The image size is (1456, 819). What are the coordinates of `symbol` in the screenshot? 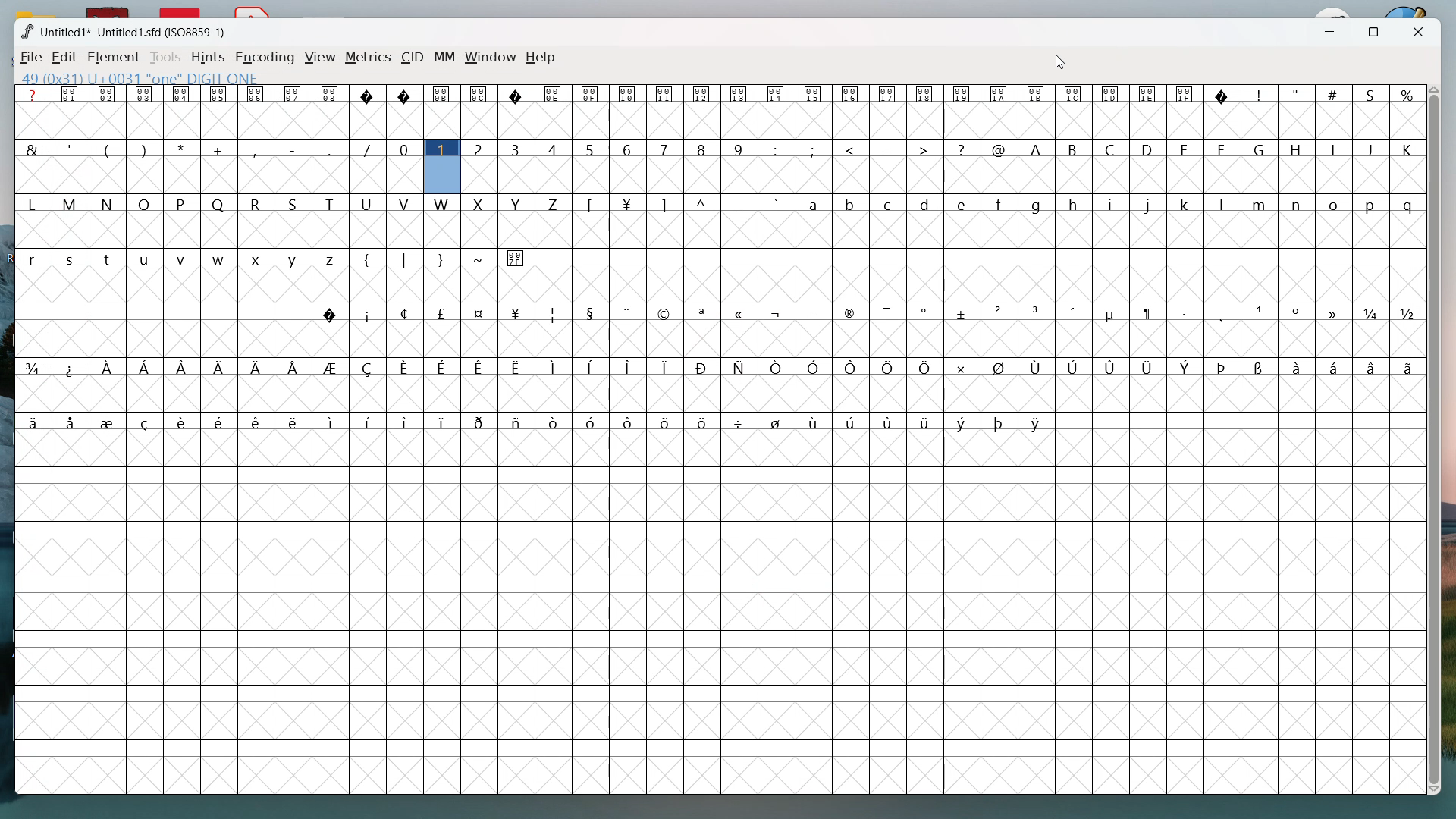 It's located at (1001, 422).